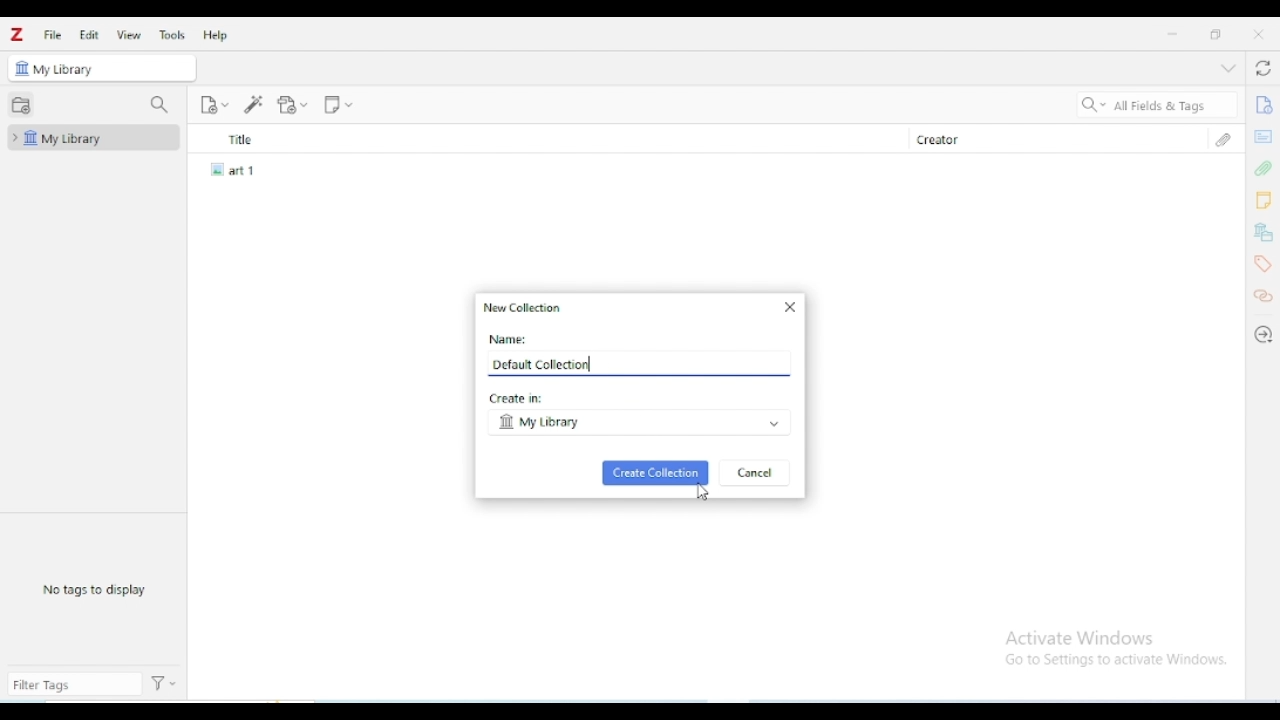  What do you see at coordinates (1154, 106) in the screenshot?
I see `search all fields & tags` at bounding box center [1154, 106].